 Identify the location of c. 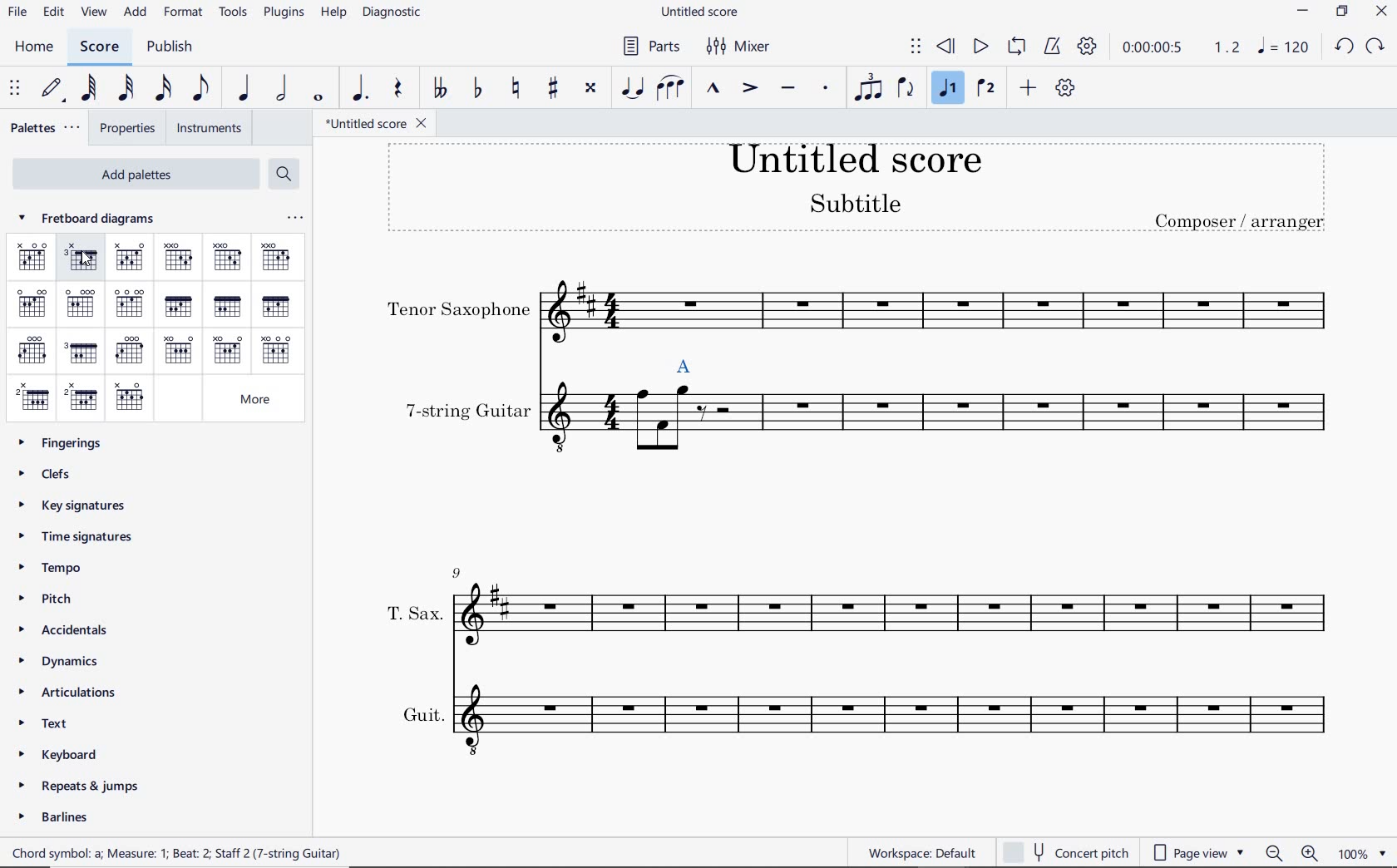
(32, 258).